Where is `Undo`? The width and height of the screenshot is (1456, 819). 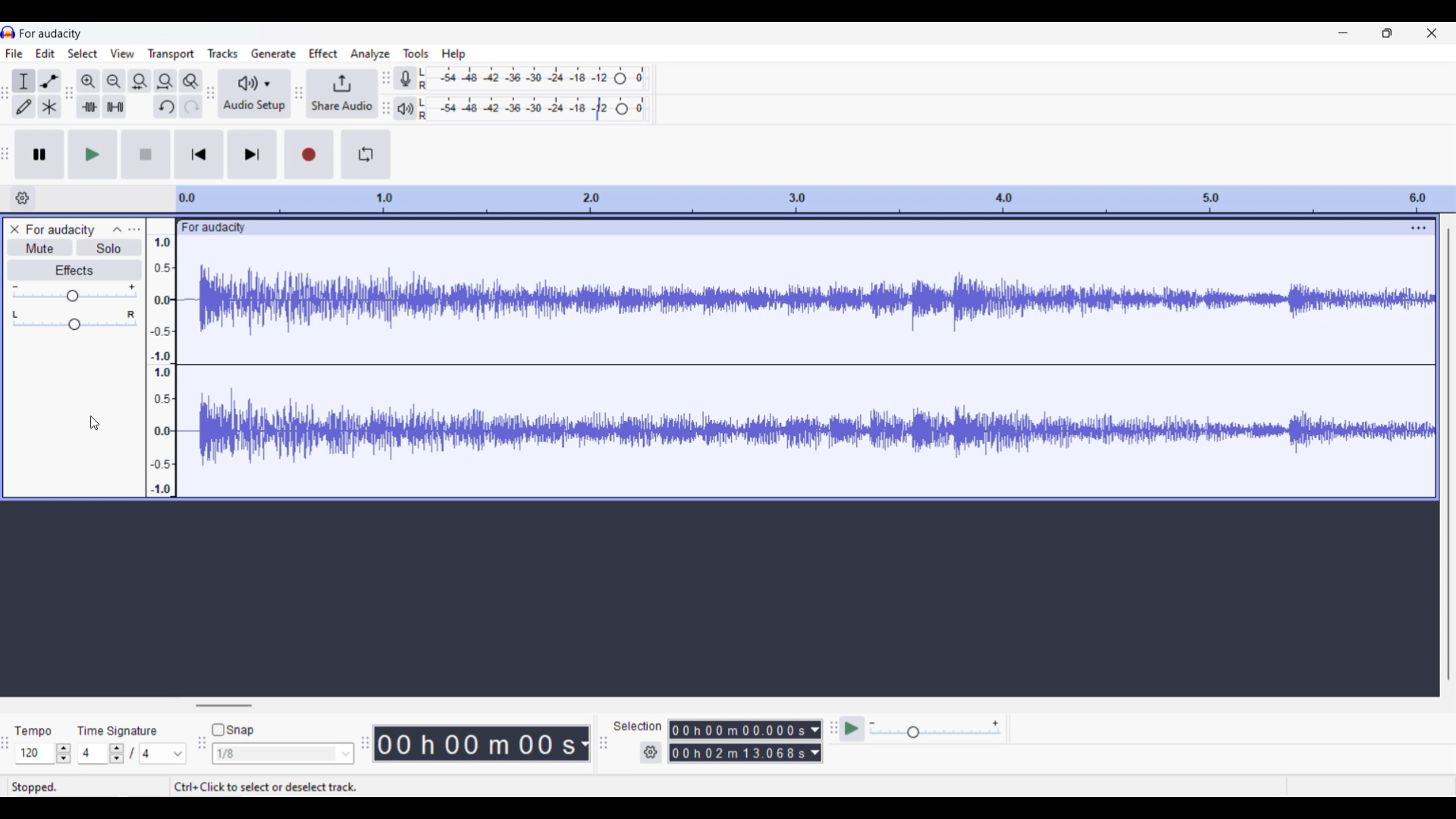 Undo is located at coordinates (165, 106).